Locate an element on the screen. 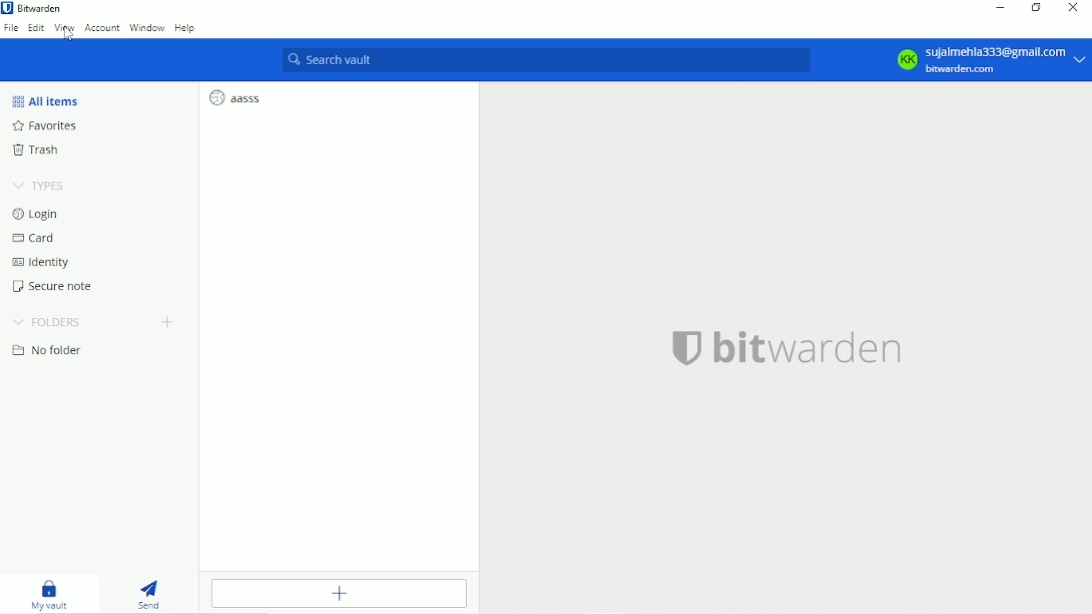 Image resolution: width=1092 pixels, height=614 pixels. Favorites is located at coordinates (44, 126).